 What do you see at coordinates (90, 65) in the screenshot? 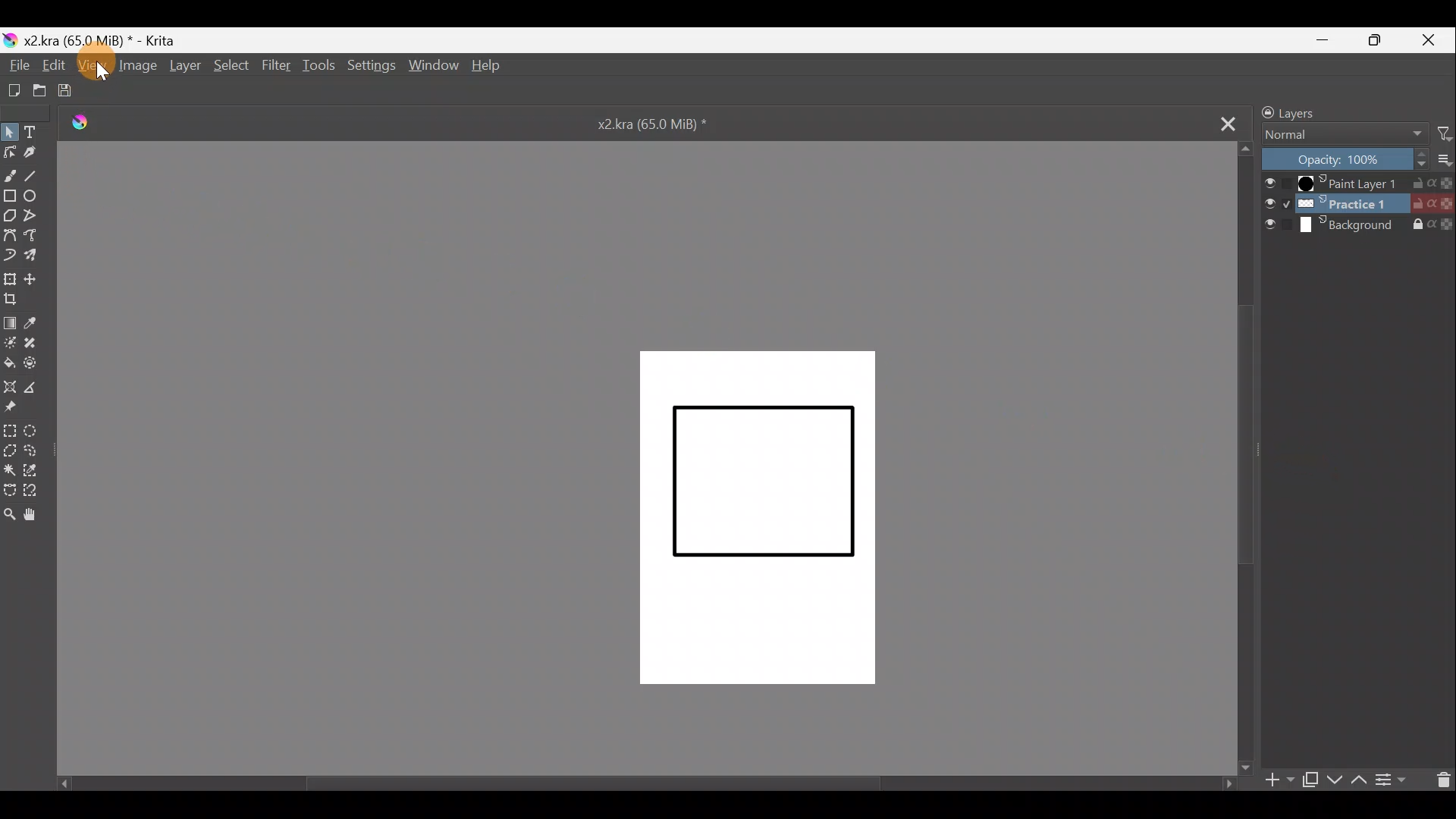
I see `View` at bounding box center [90, 65].